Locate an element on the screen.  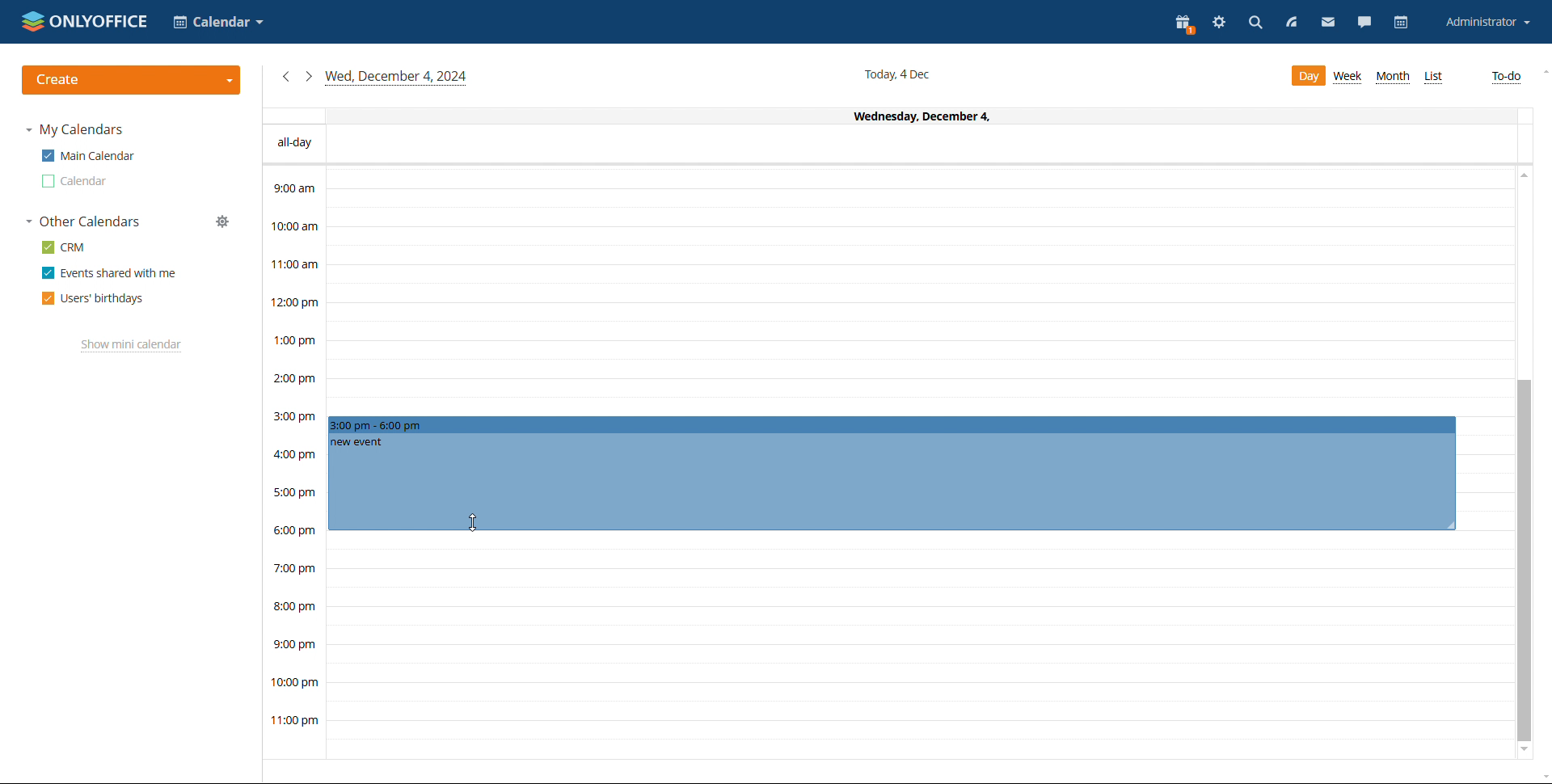
edges being dragged is located at coordinates (892, 471).